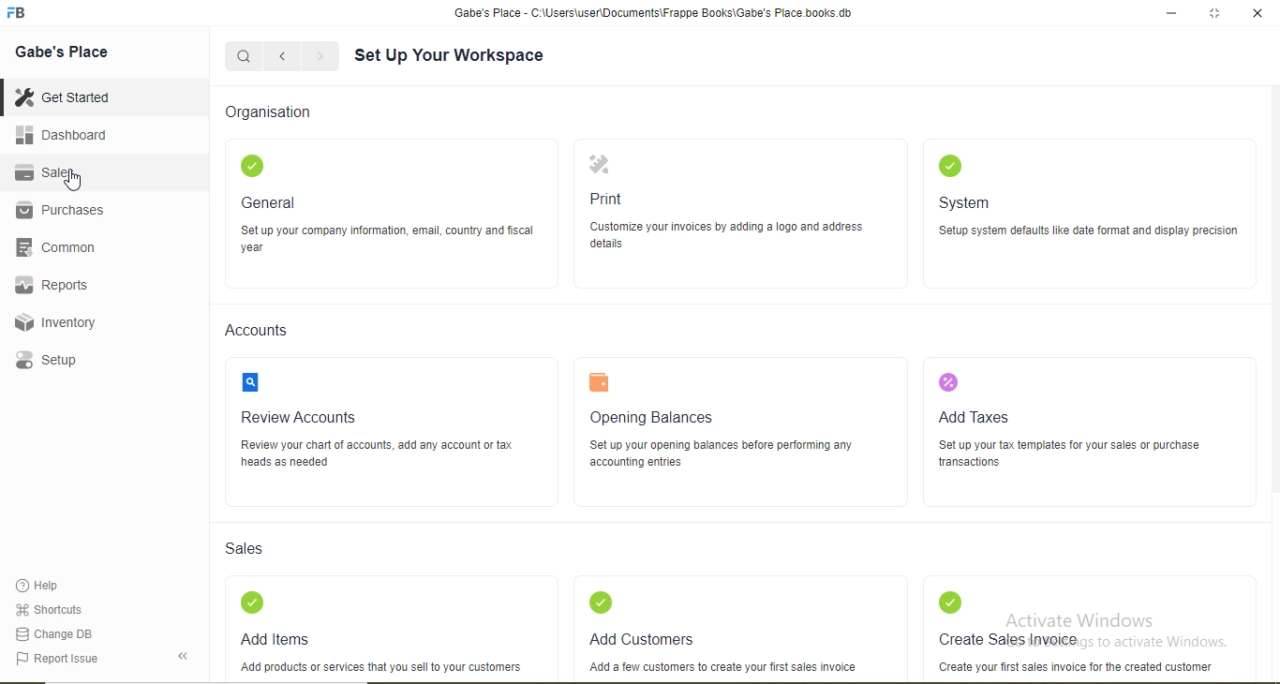  What do you see at coordinates (659, 639) in the screenshot?
I see `Add Customers` at bounding box center [659, 639].